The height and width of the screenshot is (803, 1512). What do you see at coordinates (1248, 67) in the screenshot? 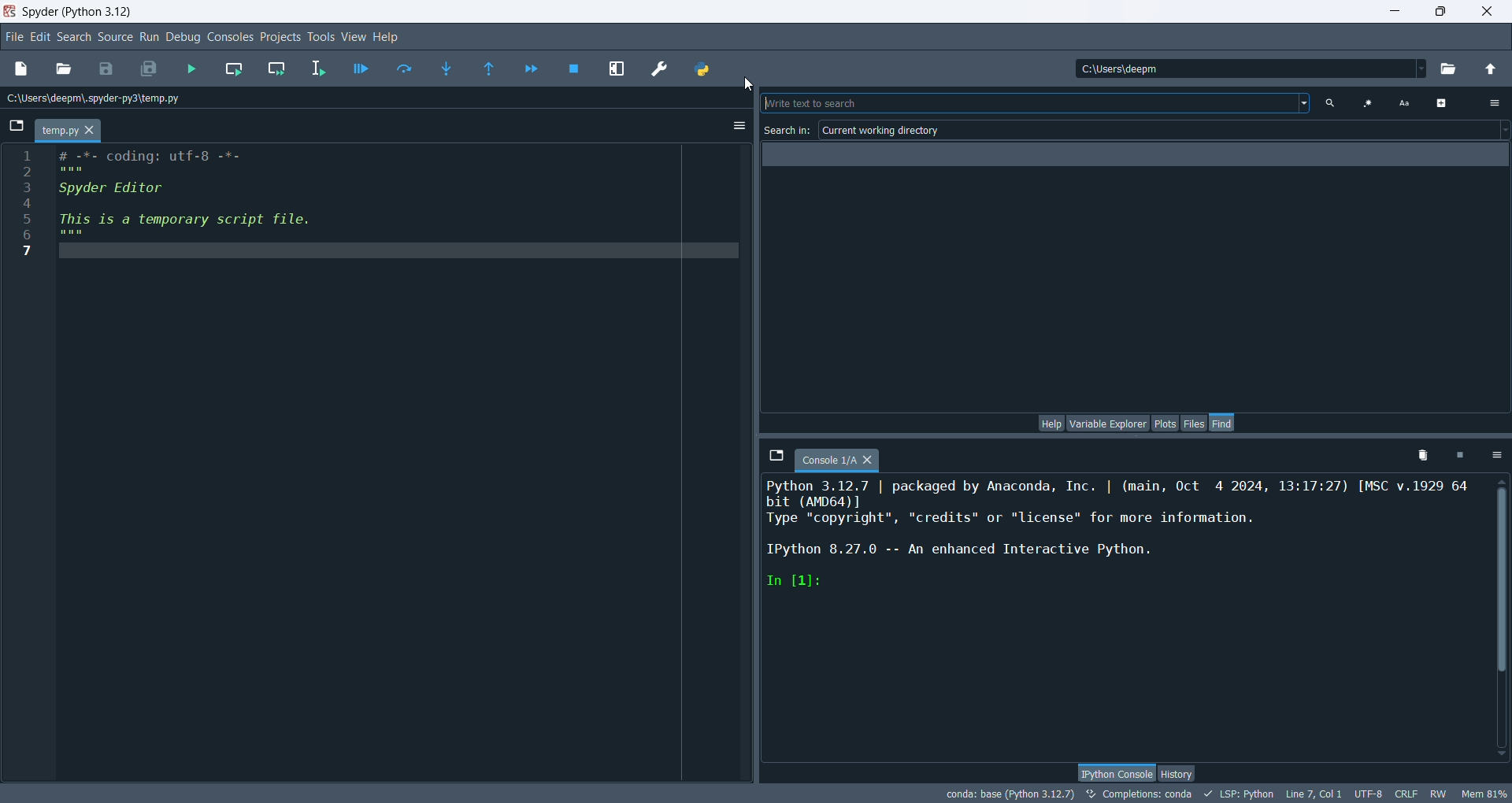
I see `location` at bounding box center [1248, 67].